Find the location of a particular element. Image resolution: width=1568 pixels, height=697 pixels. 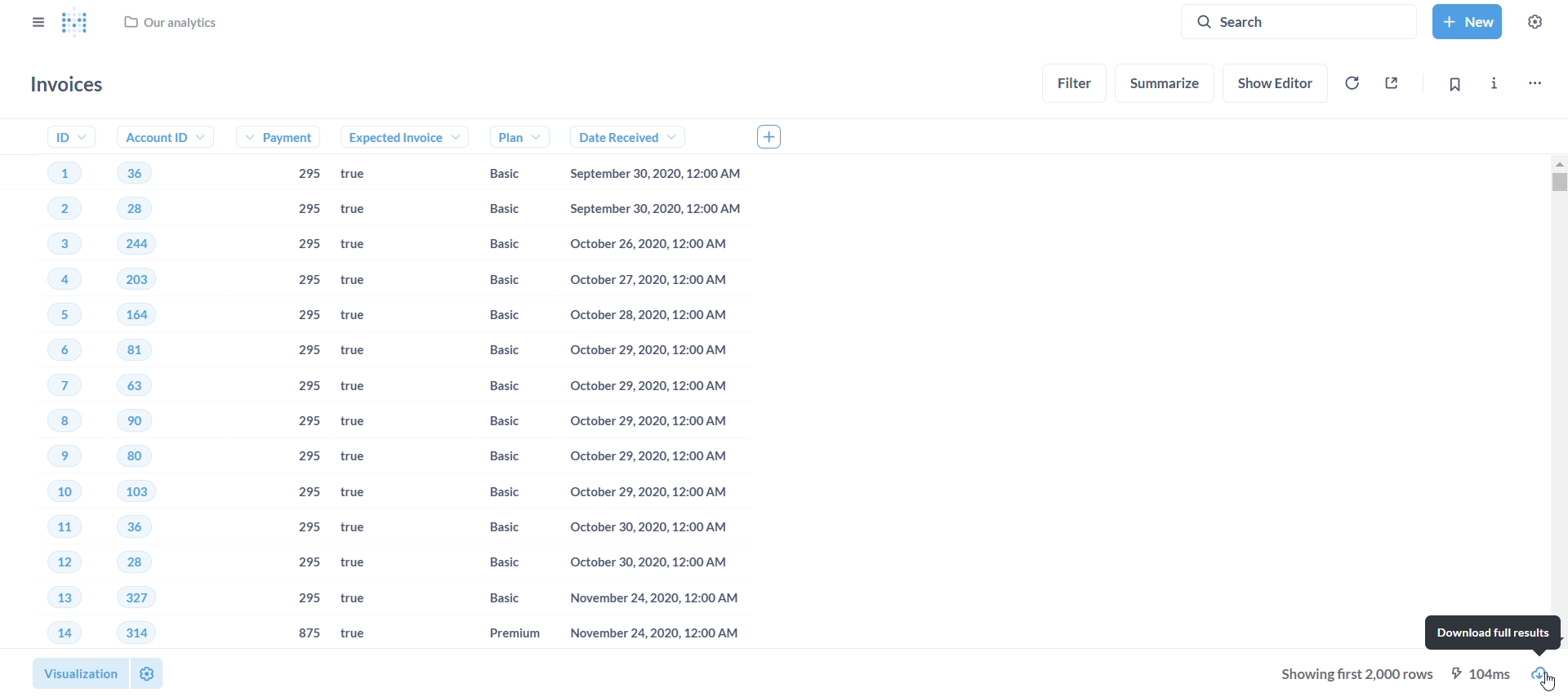

more info is located at coordinates (1493, 81).